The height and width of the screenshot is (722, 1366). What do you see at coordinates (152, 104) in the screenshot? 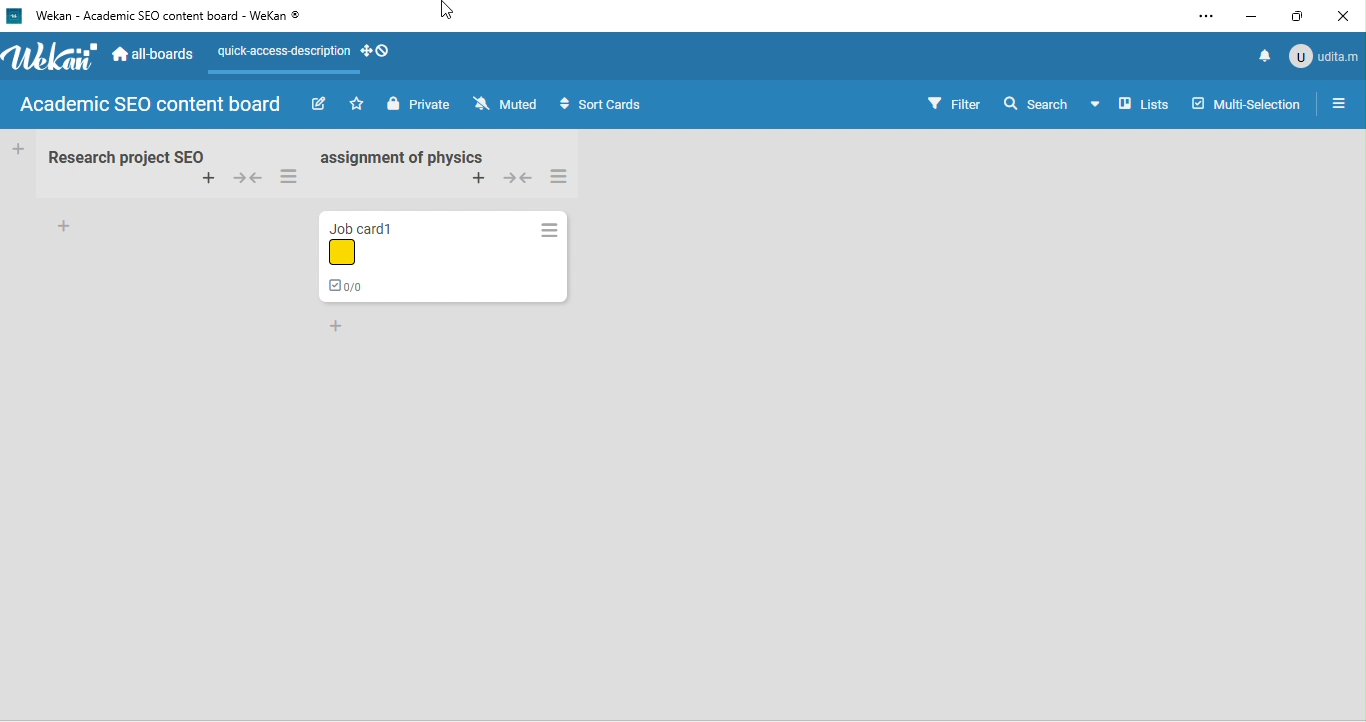
I see `board` at bounding box center [152, 104].